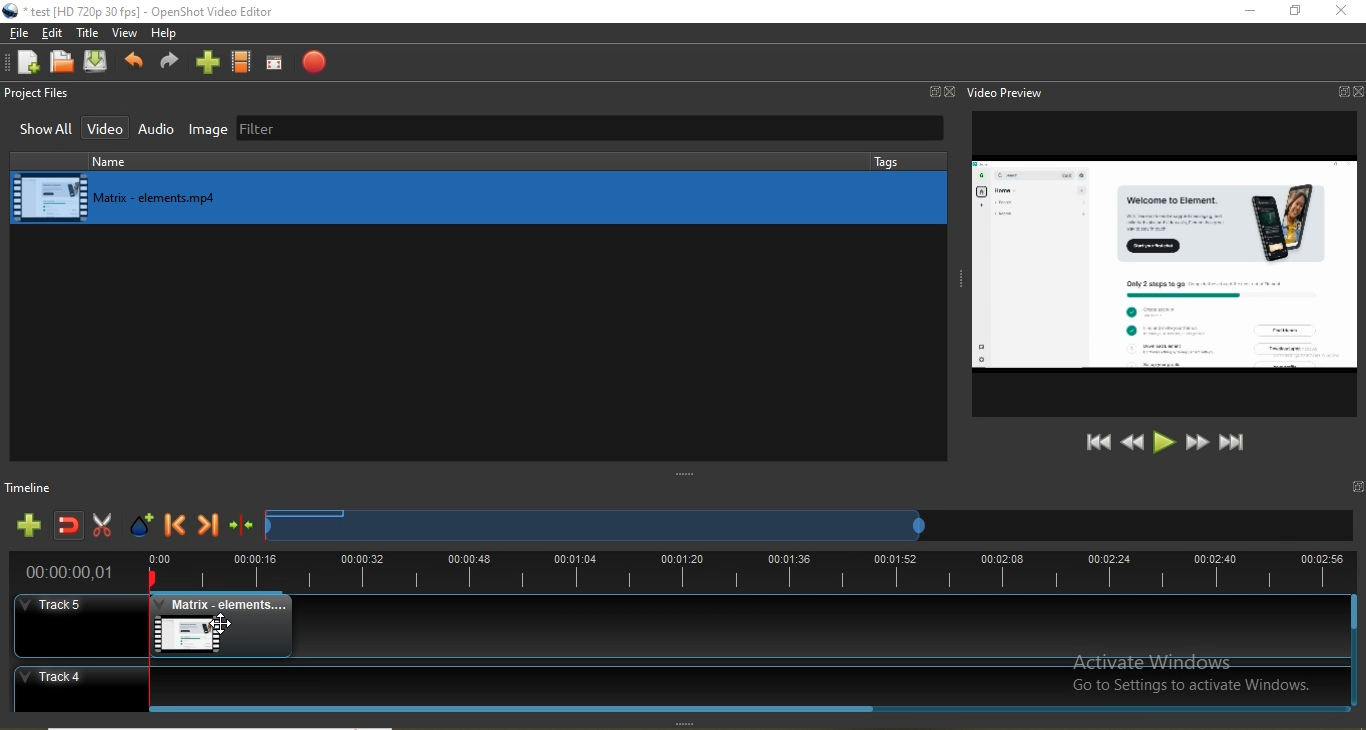 The width and height of the screenshot is (1366, 730). I want to click on Rewind , so click(1133, 441).